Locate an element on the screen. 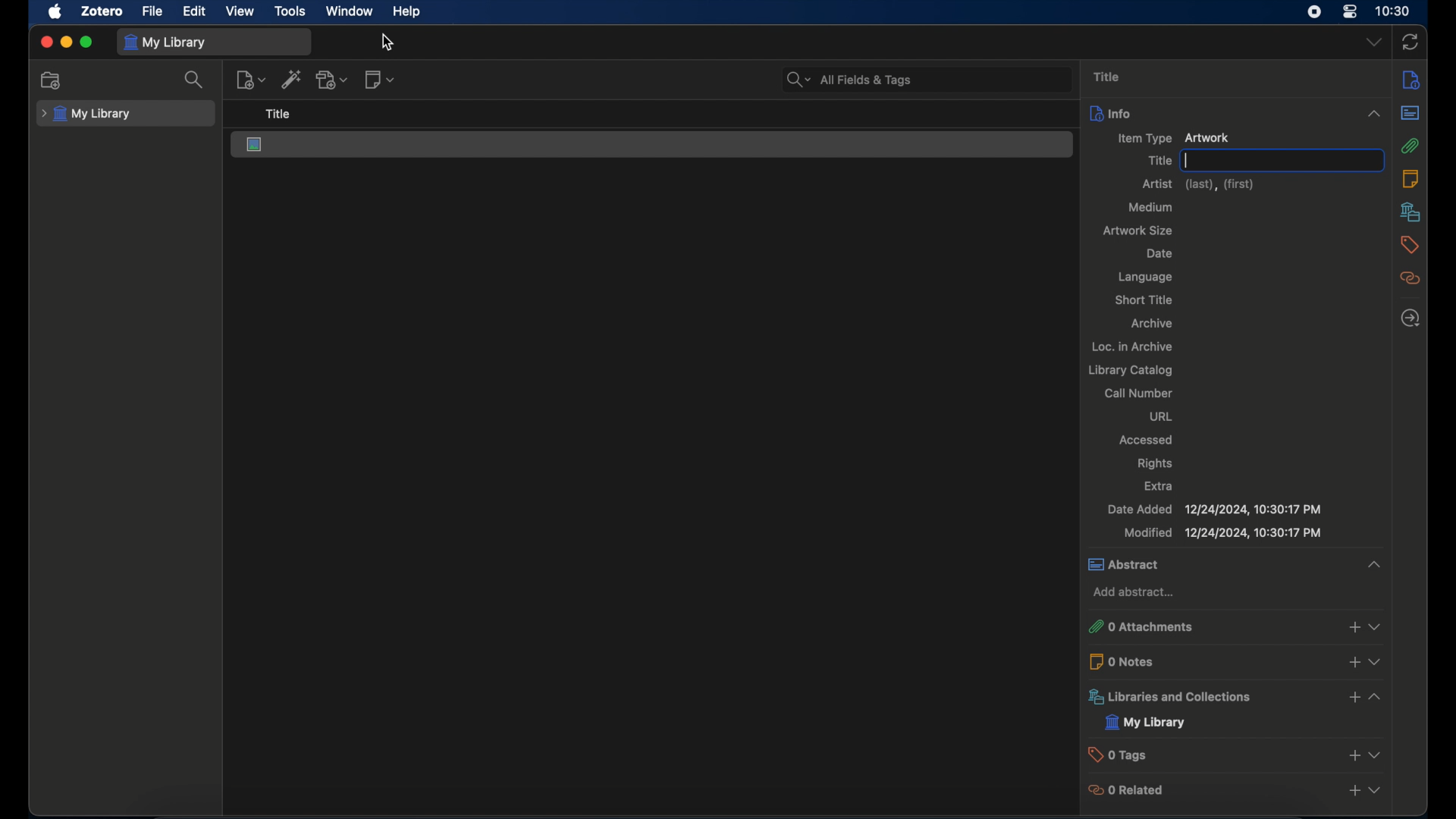 This screenshot has height=819, width=1456. edit is located at coordinates (196, 11).